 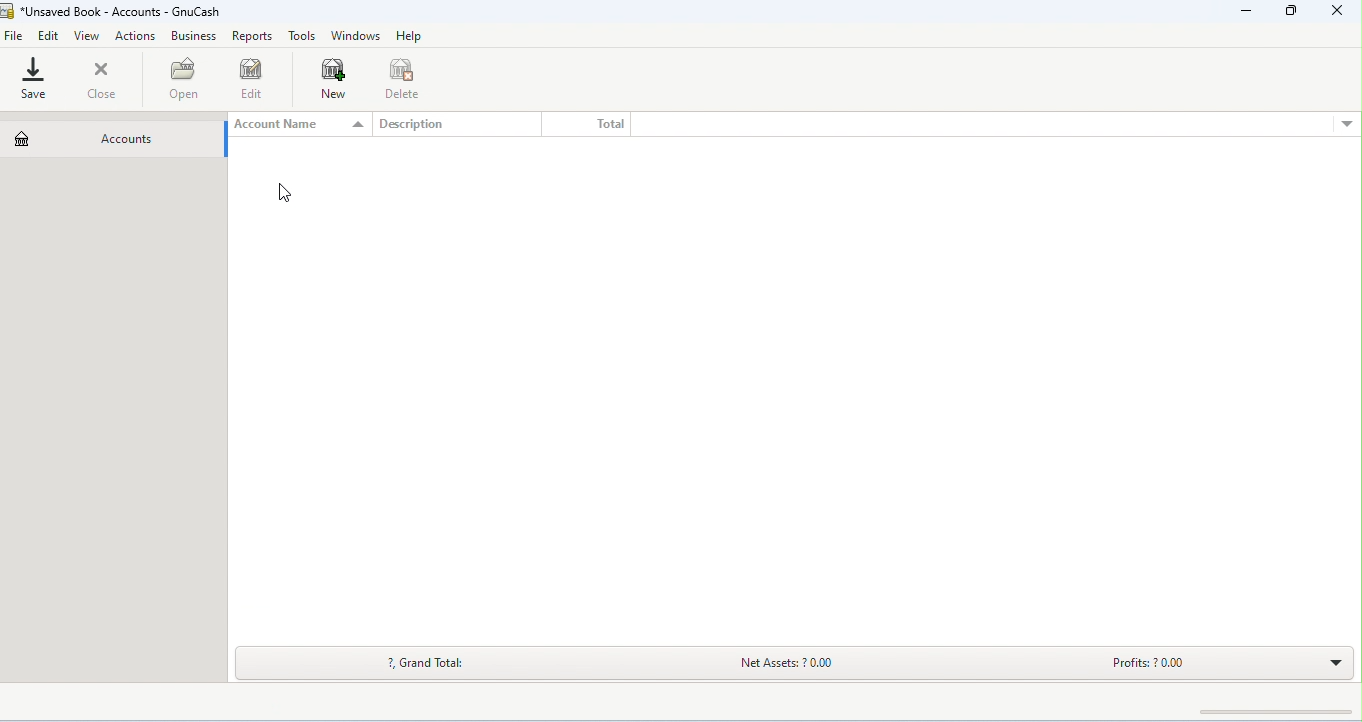 I want to click on delete, so click(x=405, y=77).